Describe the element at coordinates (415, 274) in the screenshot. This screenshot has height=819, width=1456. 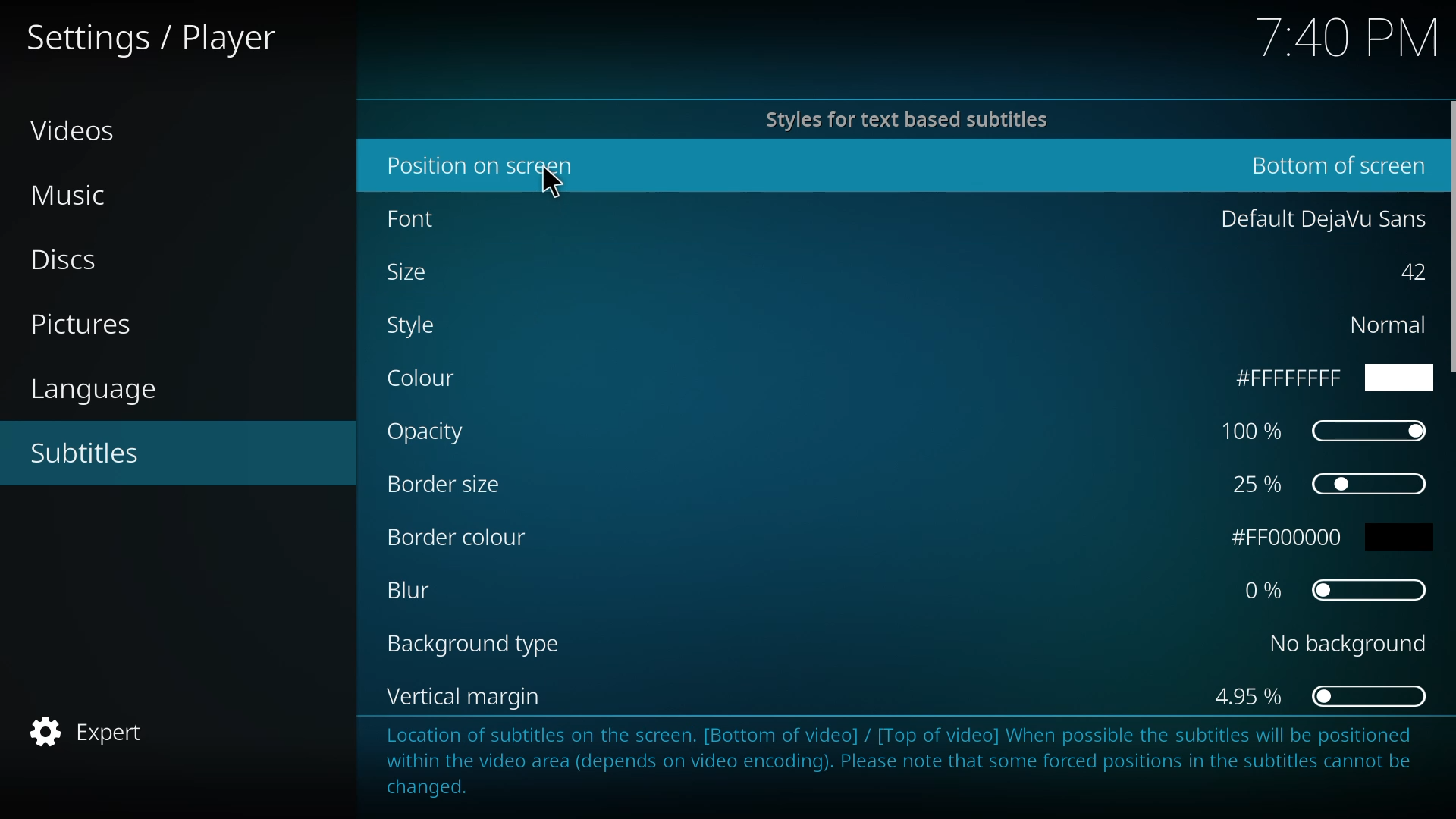
I see `size` at that location.